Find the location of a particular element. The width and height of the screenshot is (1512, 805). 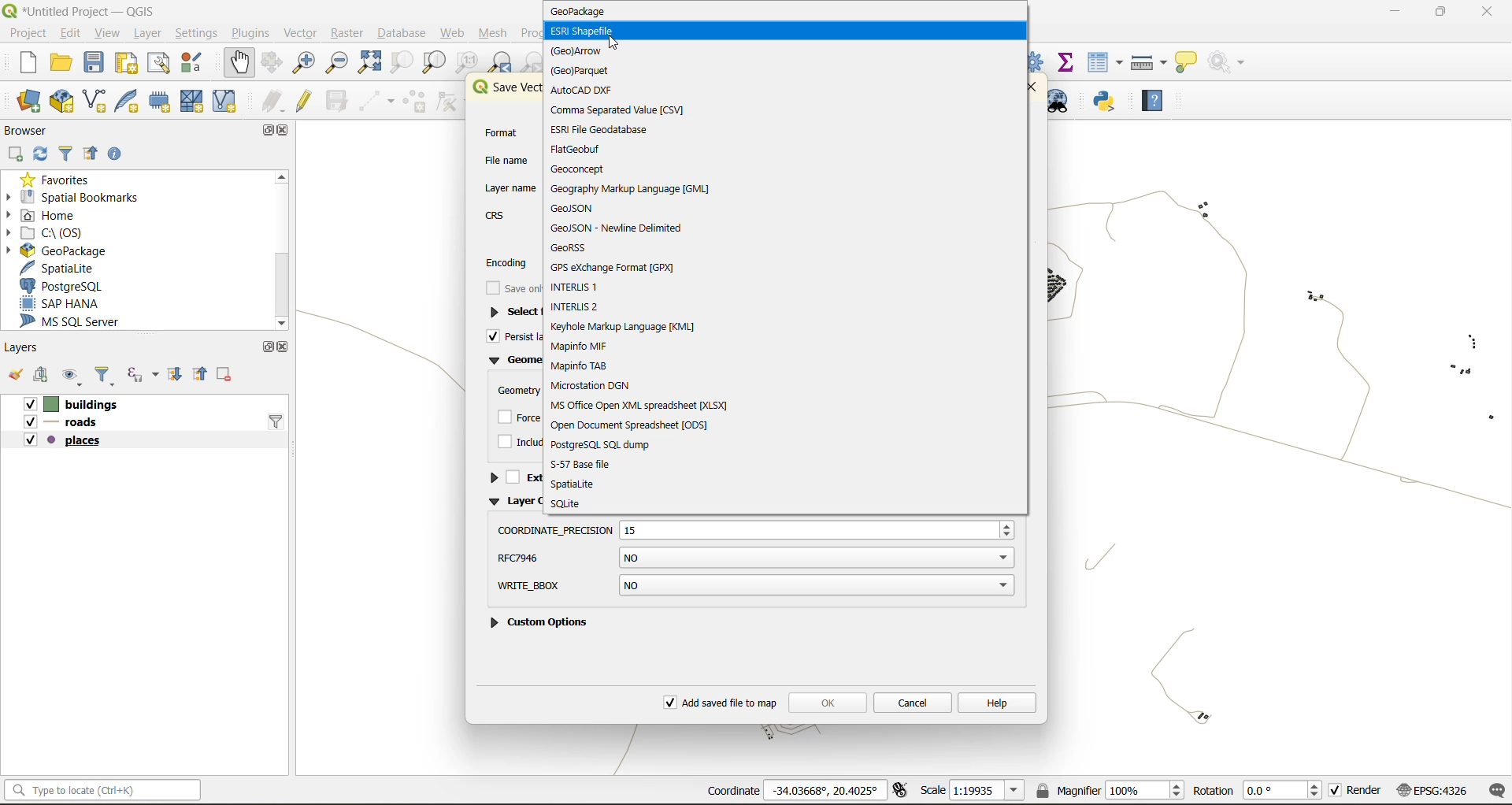

flatgeobuf is located at coordinates (583, 151).